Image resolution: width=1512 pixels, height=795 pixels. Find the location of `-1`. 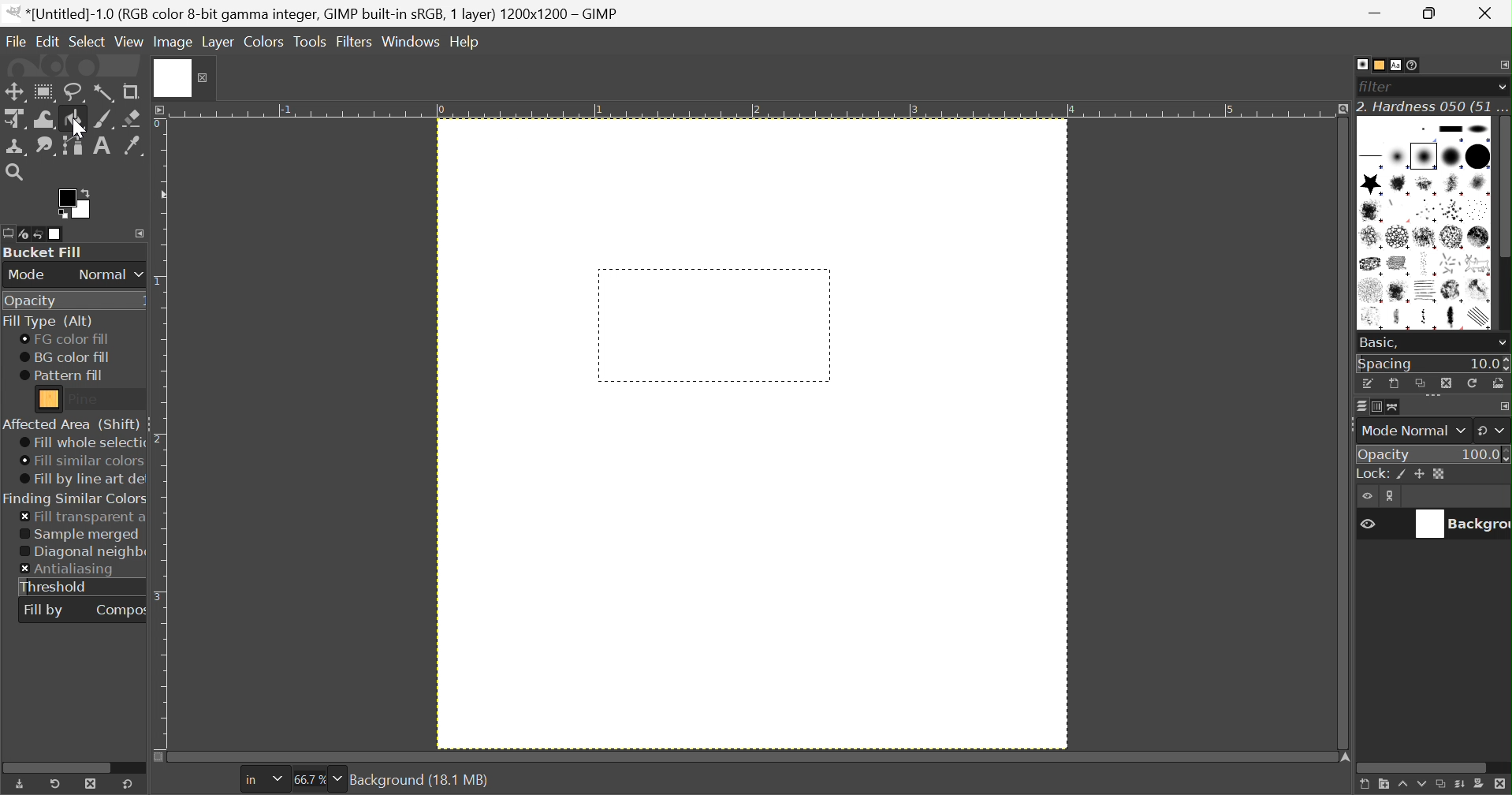

-1 is located at coordinates (284, 109).